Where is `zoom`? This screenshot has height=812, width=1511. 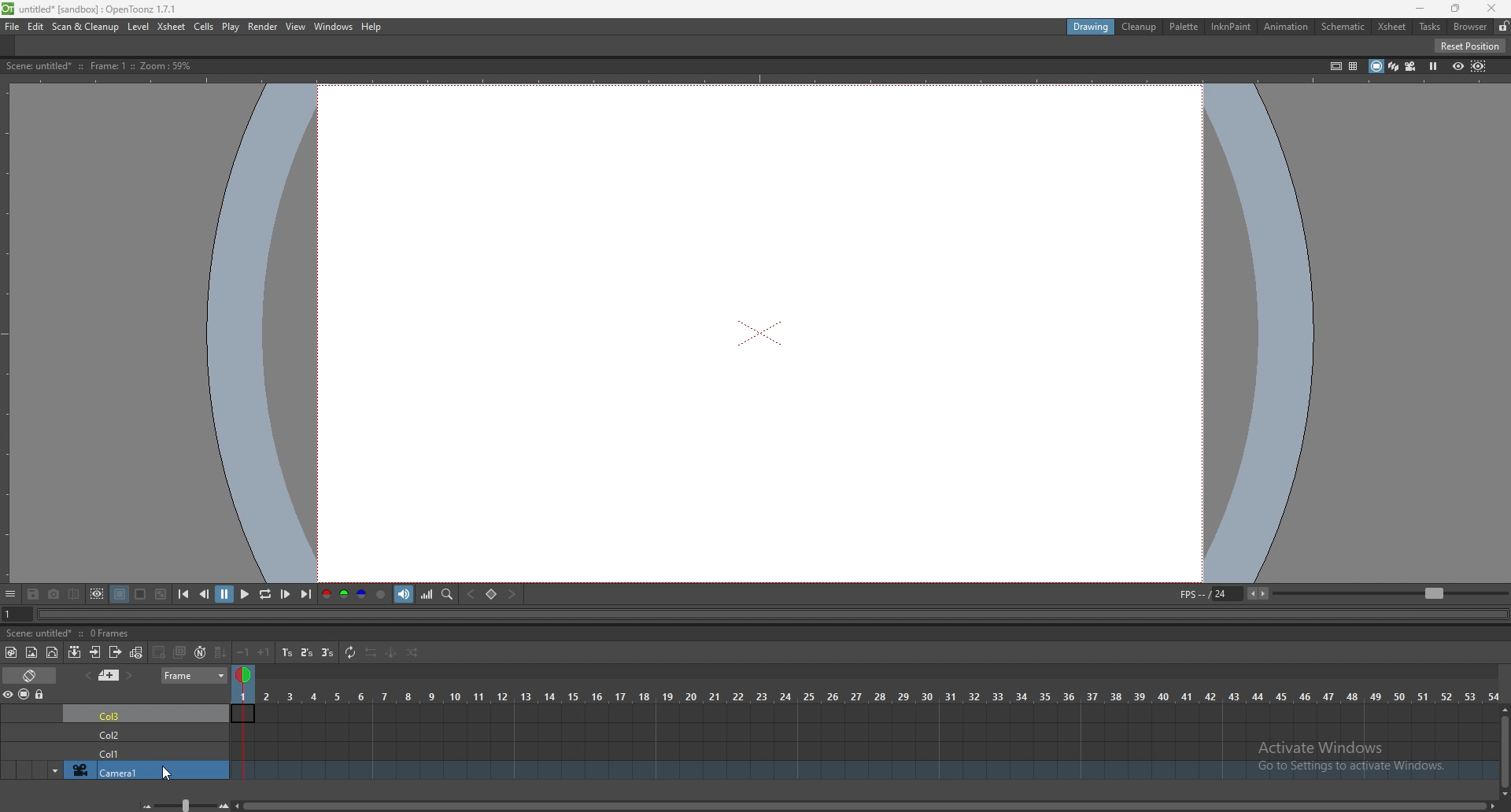
zoom is located at coordinates (1390, 593).